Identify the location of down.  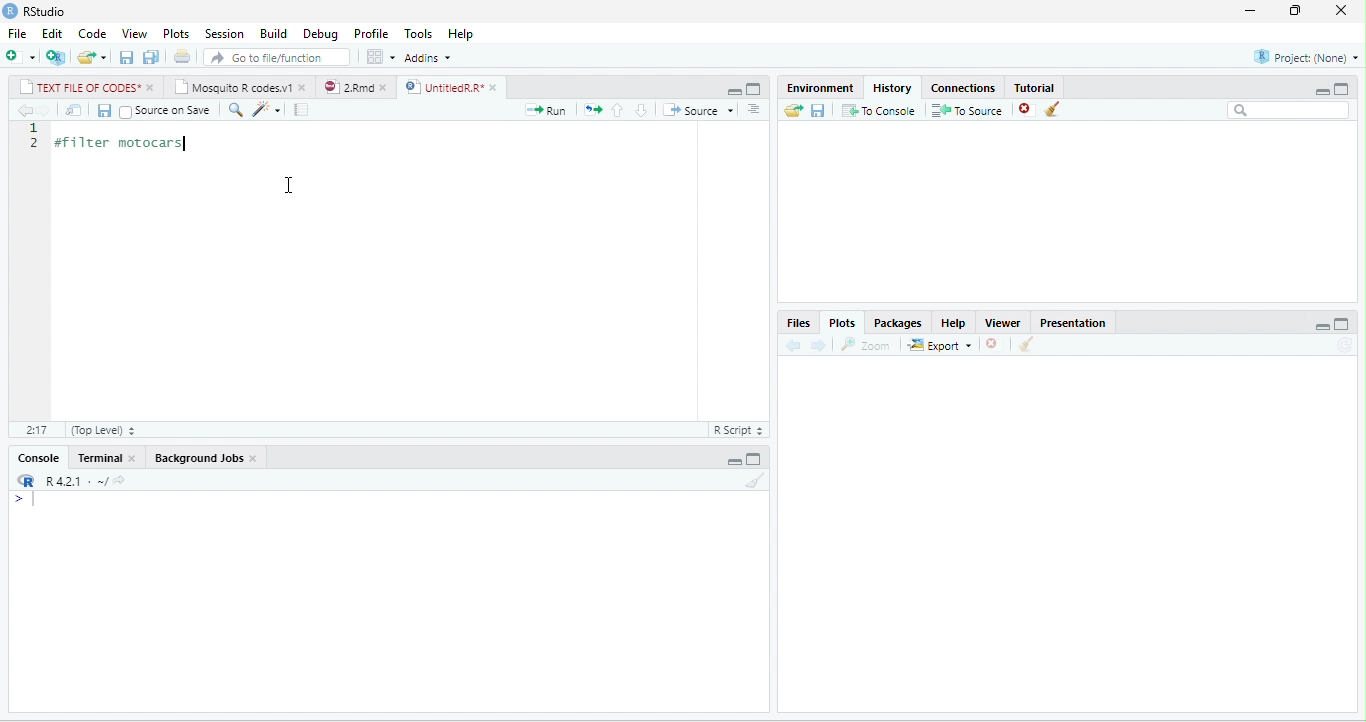
(641, 110).